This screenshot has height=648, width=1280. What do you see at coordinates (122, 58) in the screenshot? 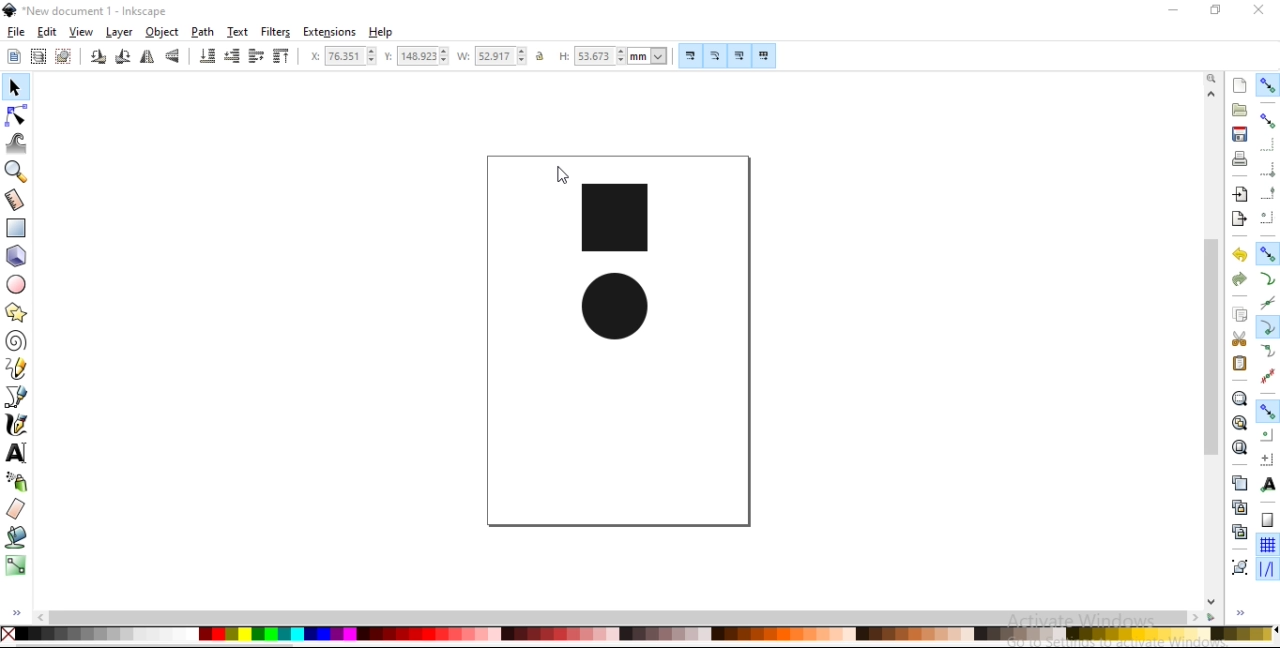
I see `rotate 90 clockwise` at bounding box center [122, 58].